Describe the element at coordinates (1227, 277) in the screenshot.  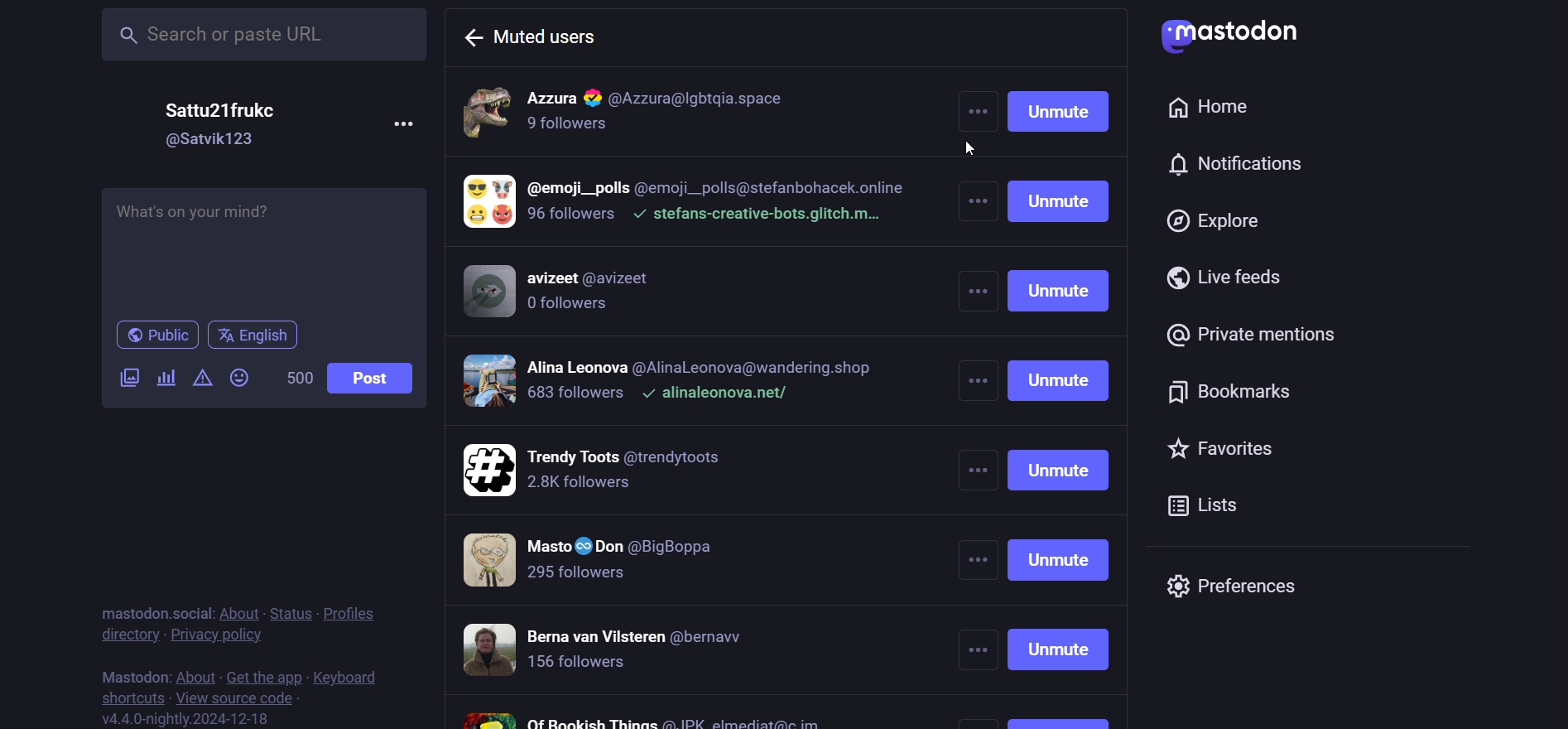
I see `live feed` at that location.